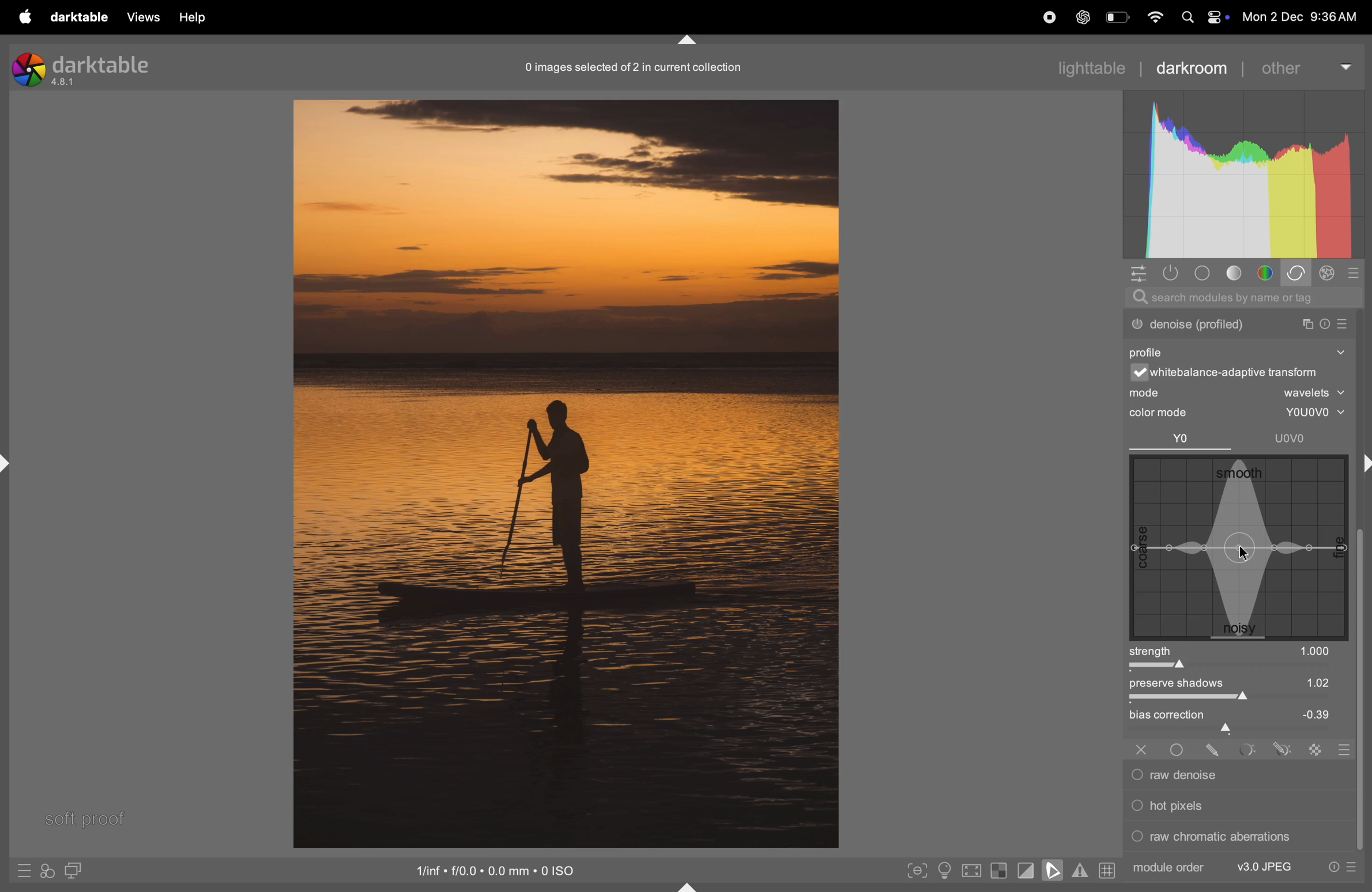 The image size is (1372, 892). Describe the element at coordinates (1316, 651) in the screenshot. I see `1000` at that location.